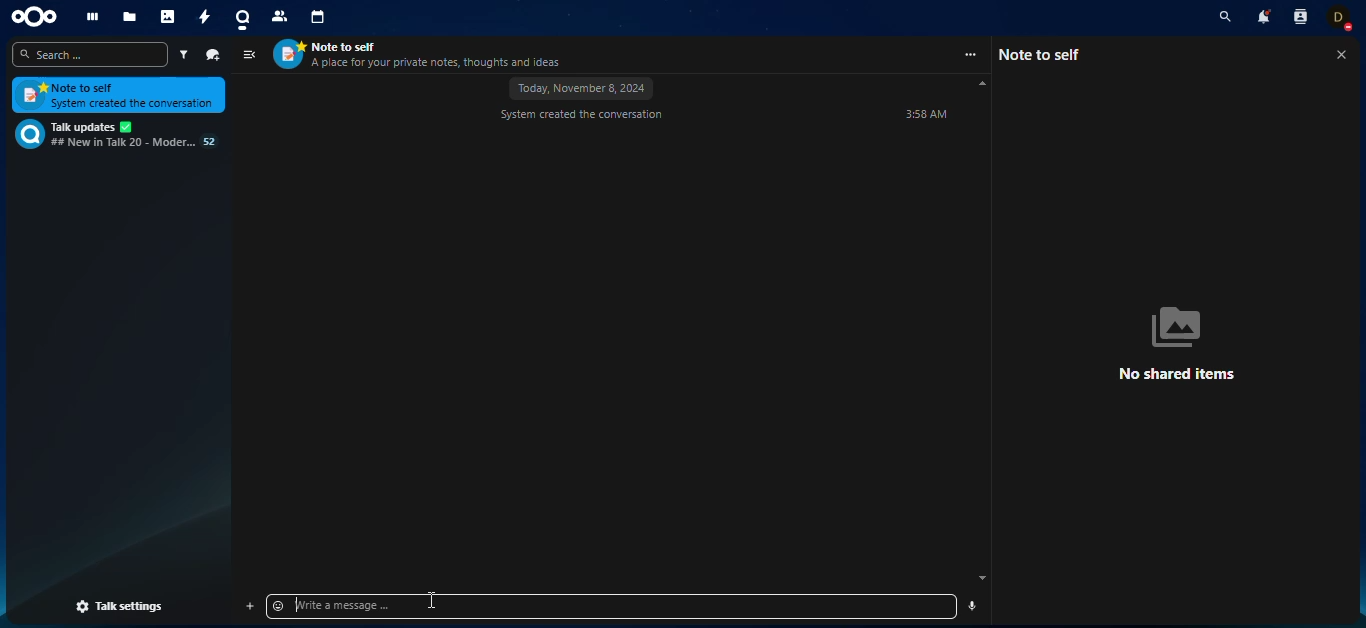  What do you see at coordinates (1344, 20) in the screenshot?
I see `account` at bounding box center [1344, 20].